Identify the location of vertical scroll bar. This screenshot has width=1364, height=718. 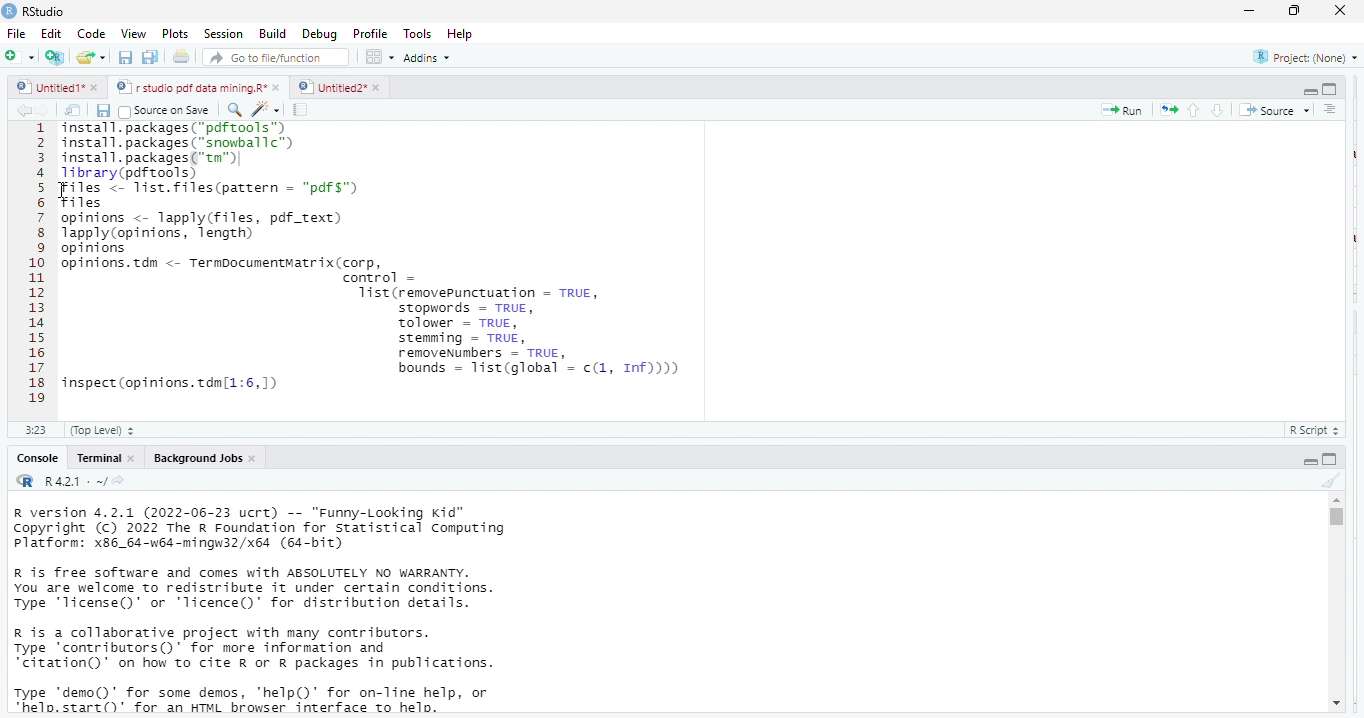
(1335, 602).